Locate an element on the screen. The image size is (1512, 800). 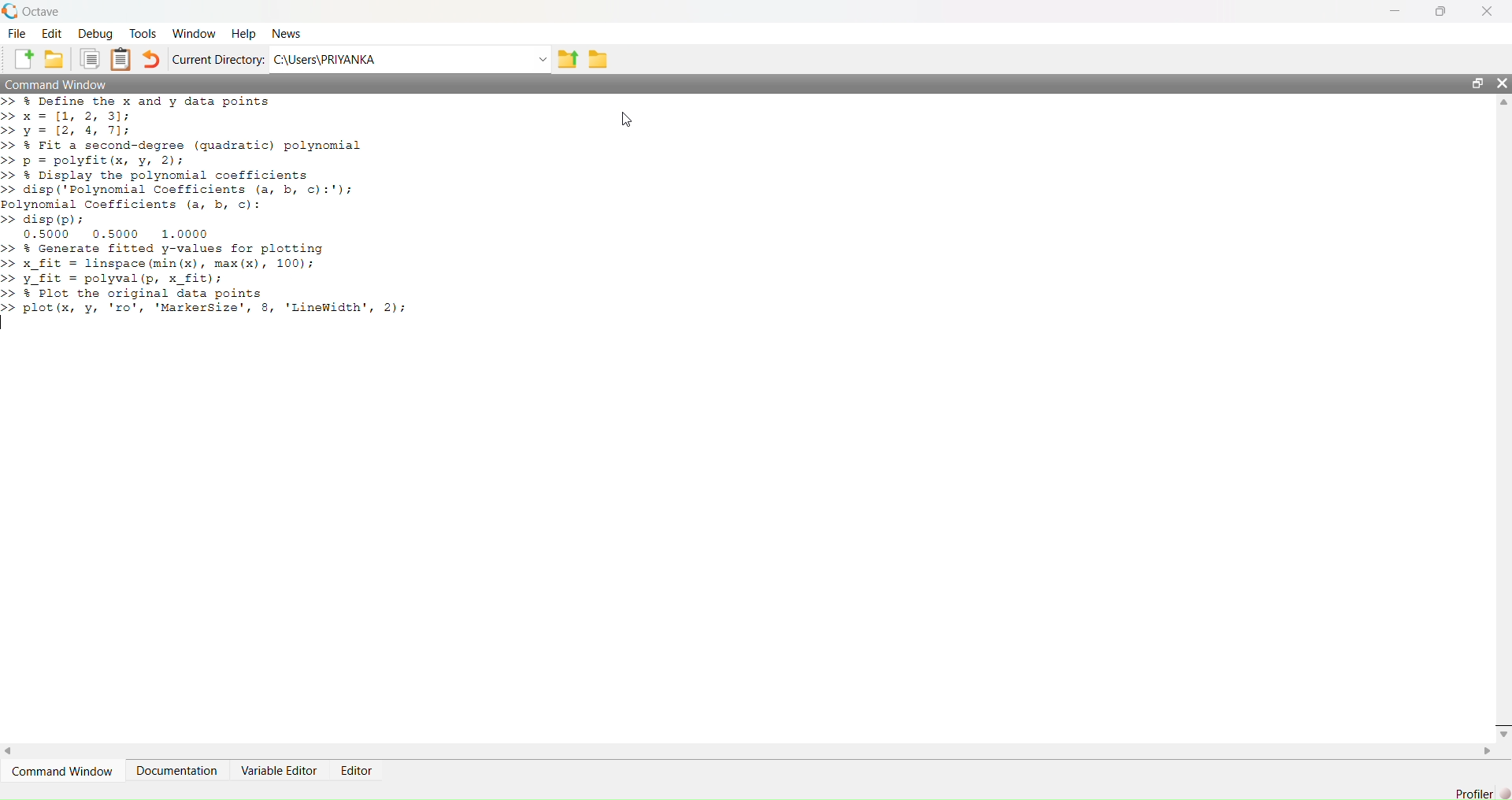
Undo is located at coordinates (152, 60).